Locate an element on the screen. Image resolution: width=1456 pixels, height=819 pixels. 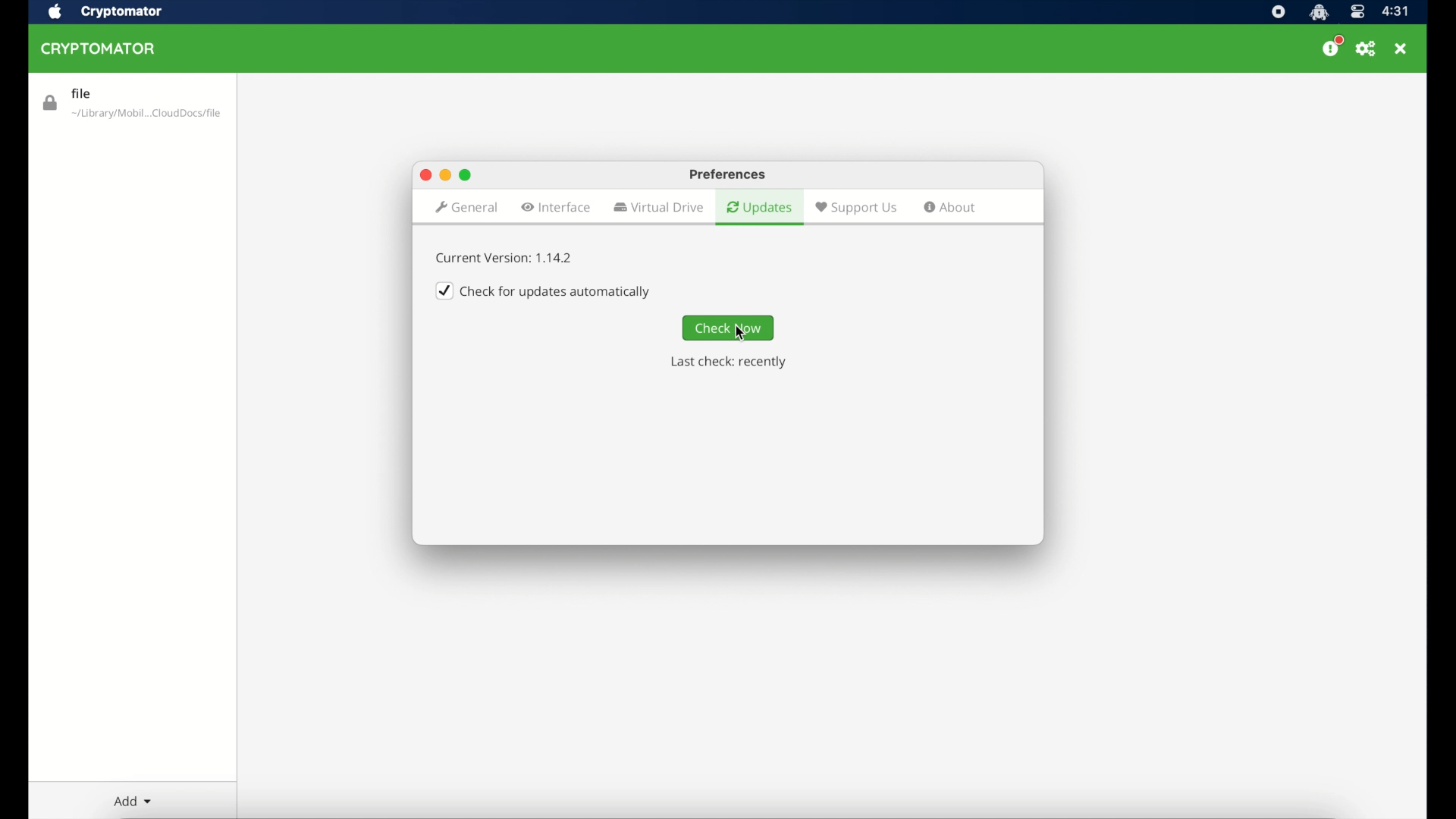
check now is located at coordinates (729, 328).